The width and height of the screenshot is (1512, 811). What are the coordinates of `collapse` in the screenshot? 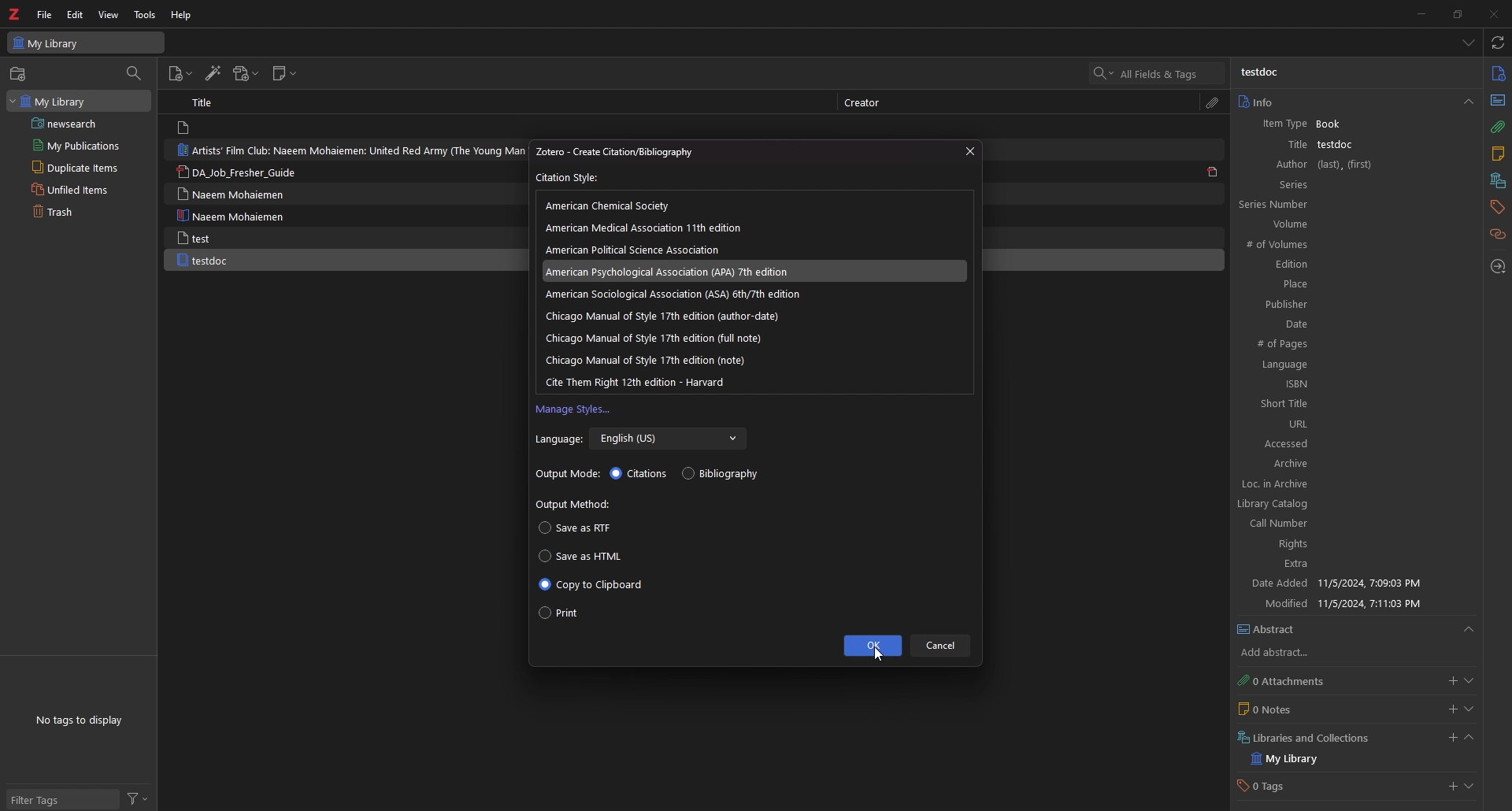 It's located at (1469, 739).